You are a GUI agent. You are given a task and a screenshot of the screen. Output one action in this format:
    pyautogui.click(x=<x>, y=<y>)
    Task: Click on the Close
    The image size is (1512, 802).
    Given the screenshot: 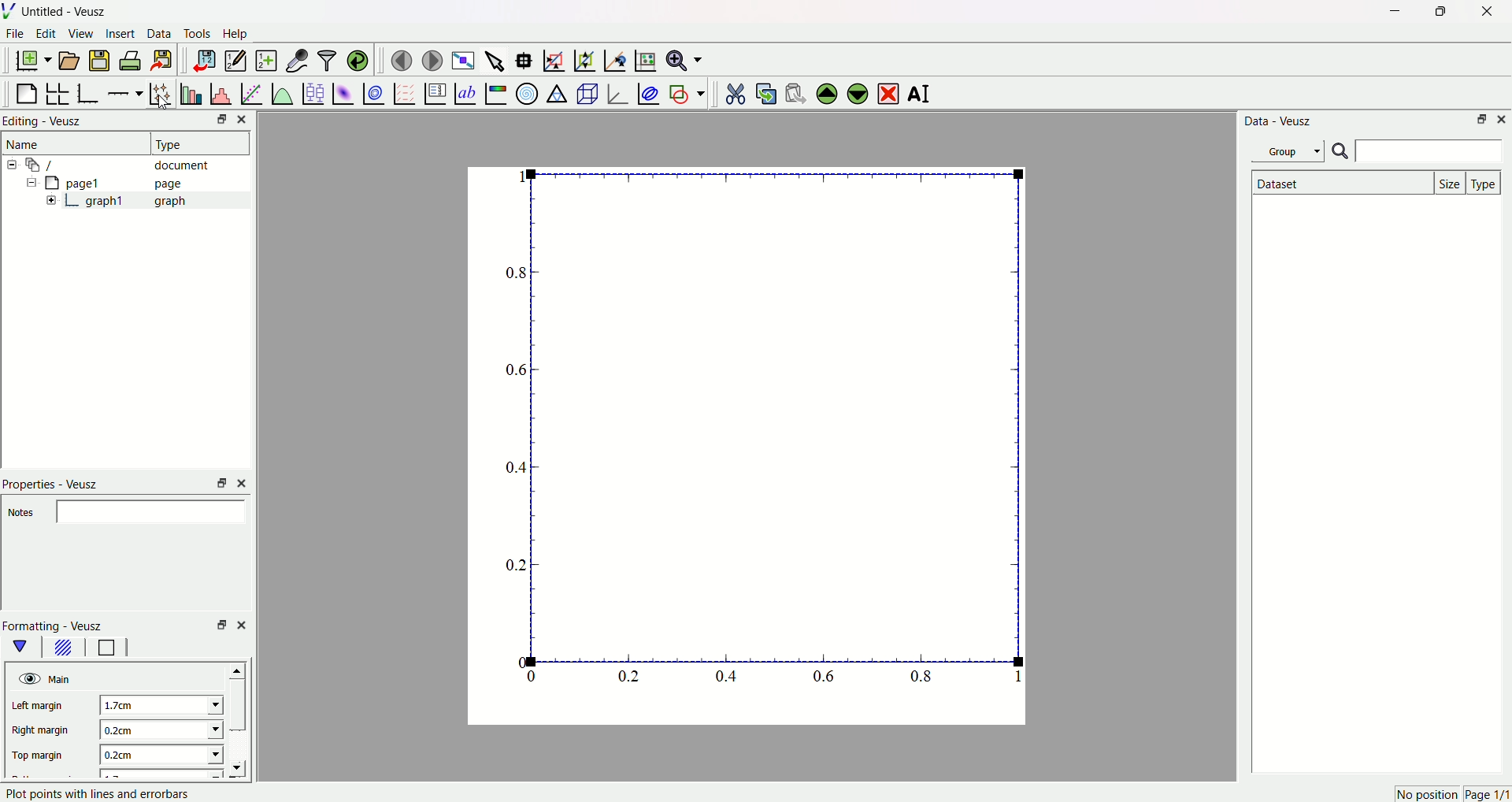 What is the action you would take?
    pyautogui.click(x=1481, y=13)
    